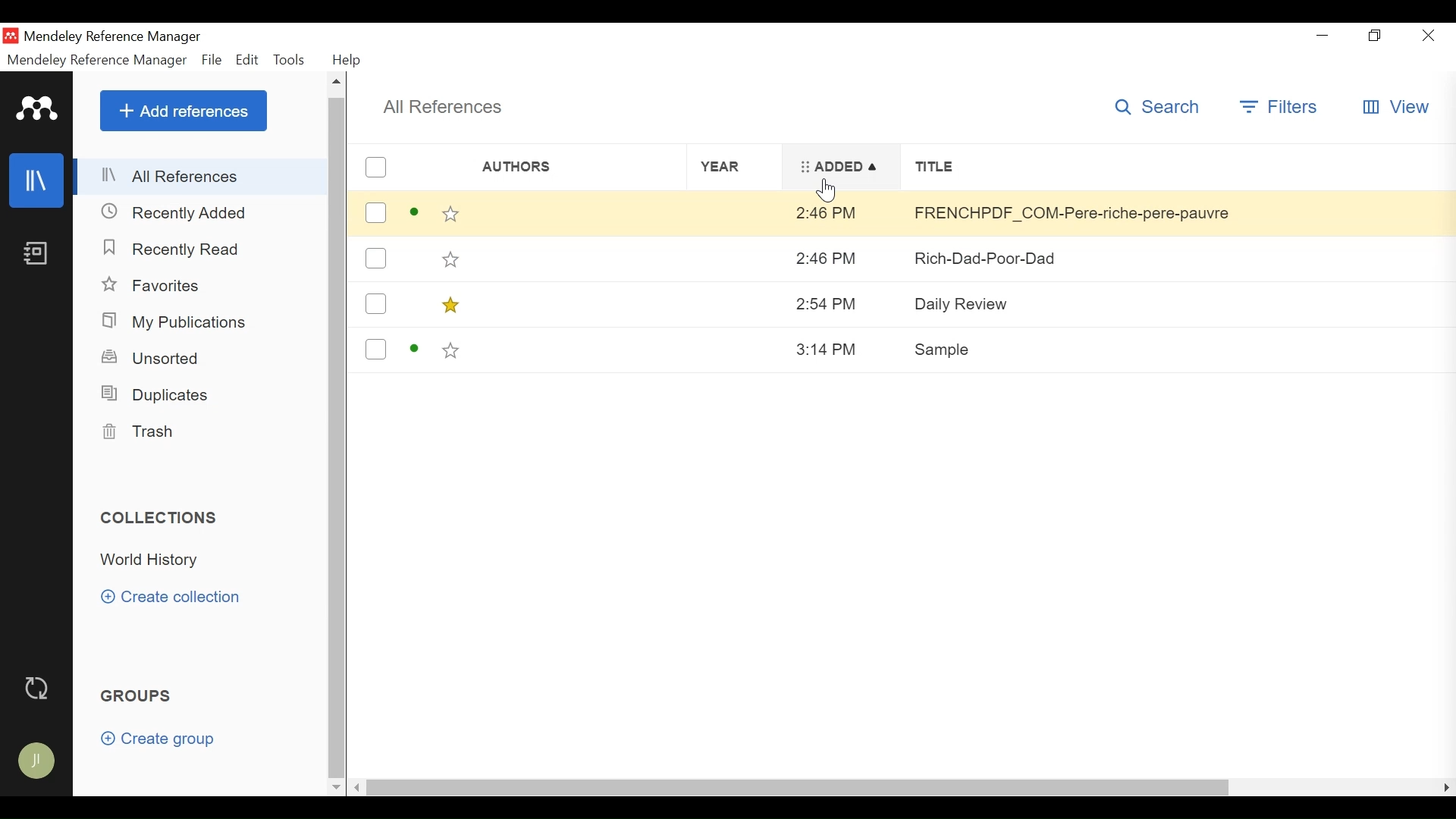 The height and width of the screenshot is (819, 1456). What do you see at coordinates (348, 60) in the screenshot?
I see `Help` at bounding box center [348, 60].